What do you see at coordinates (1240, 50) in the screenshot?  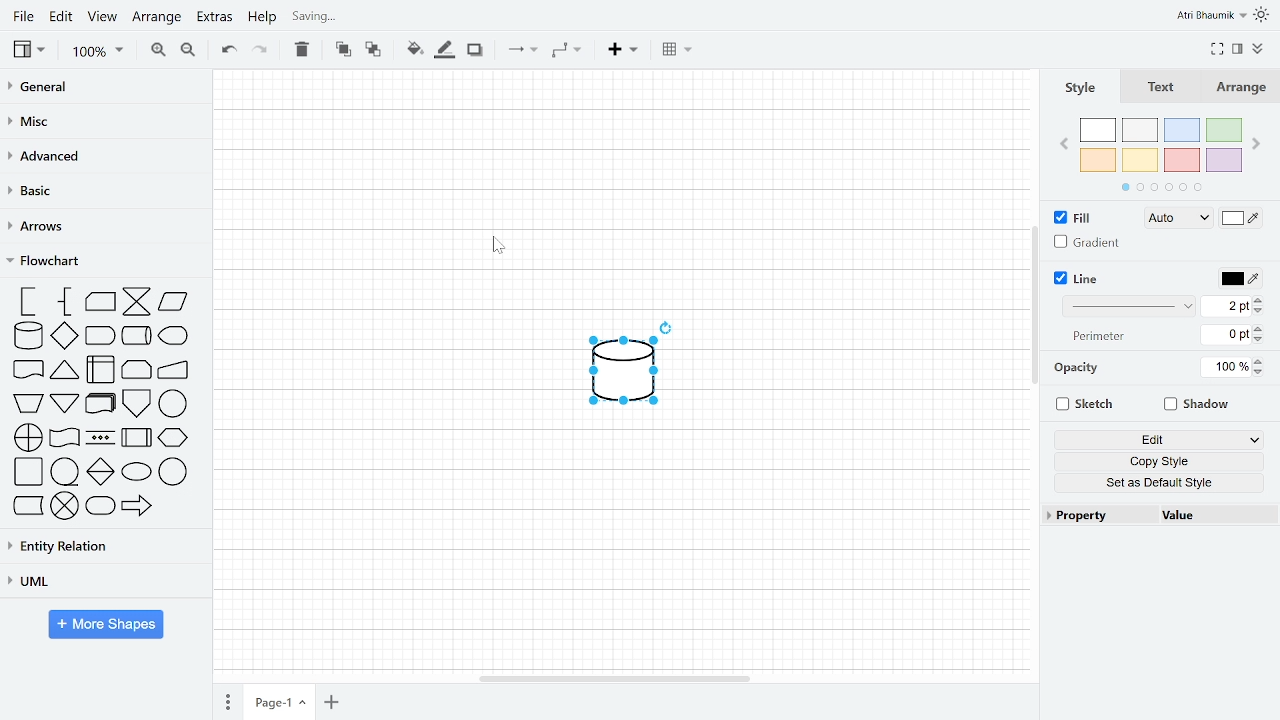 I see `Format` at bounding box center [1240, 50].